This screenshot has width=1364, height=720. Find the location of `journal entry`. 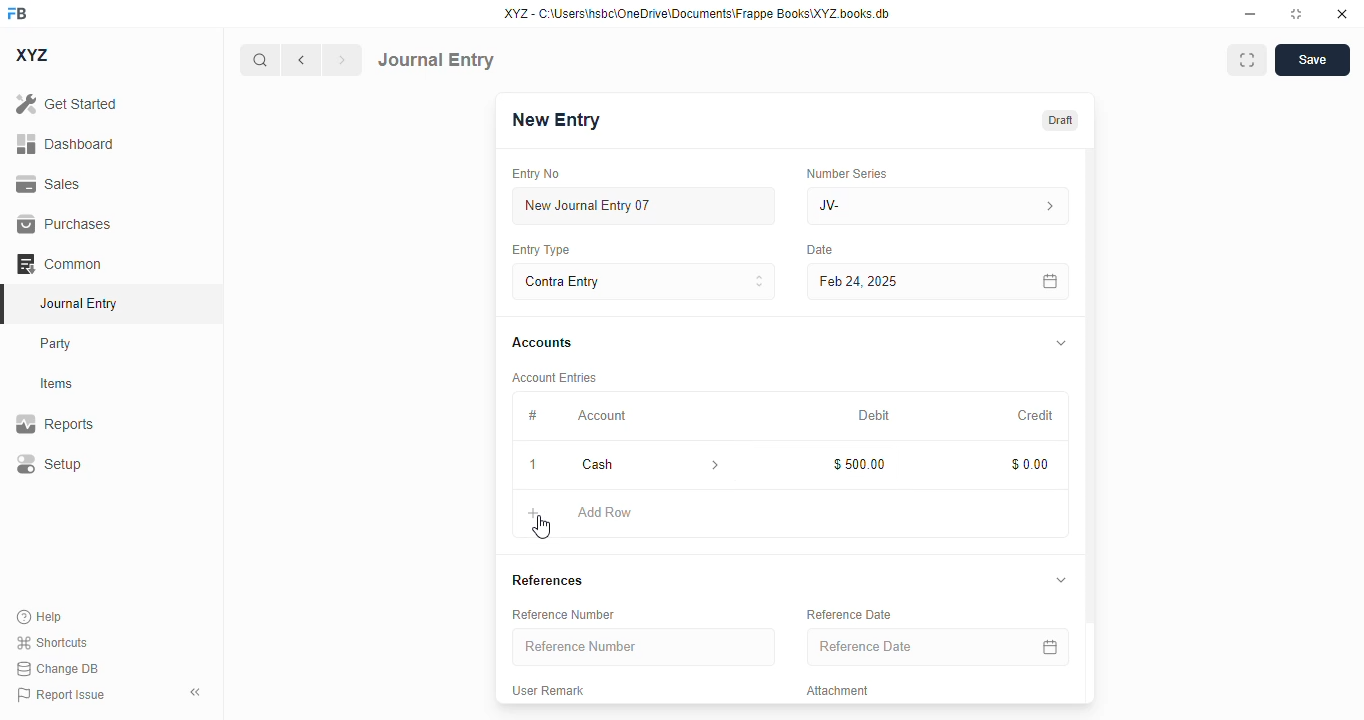

journal entry is located at coordinates (436, 60).